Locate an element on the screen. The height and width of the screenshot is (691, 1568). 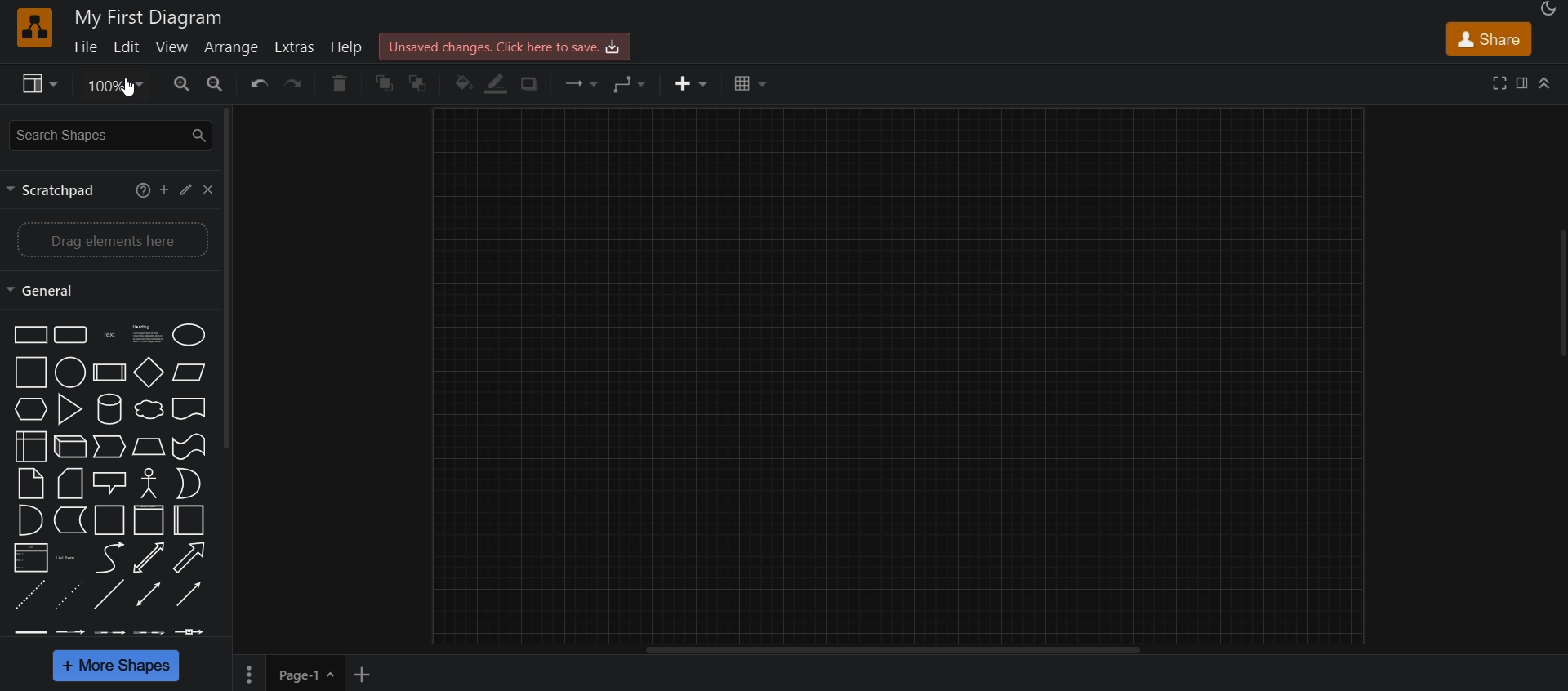
canvas is located at coordinates (904, 372).